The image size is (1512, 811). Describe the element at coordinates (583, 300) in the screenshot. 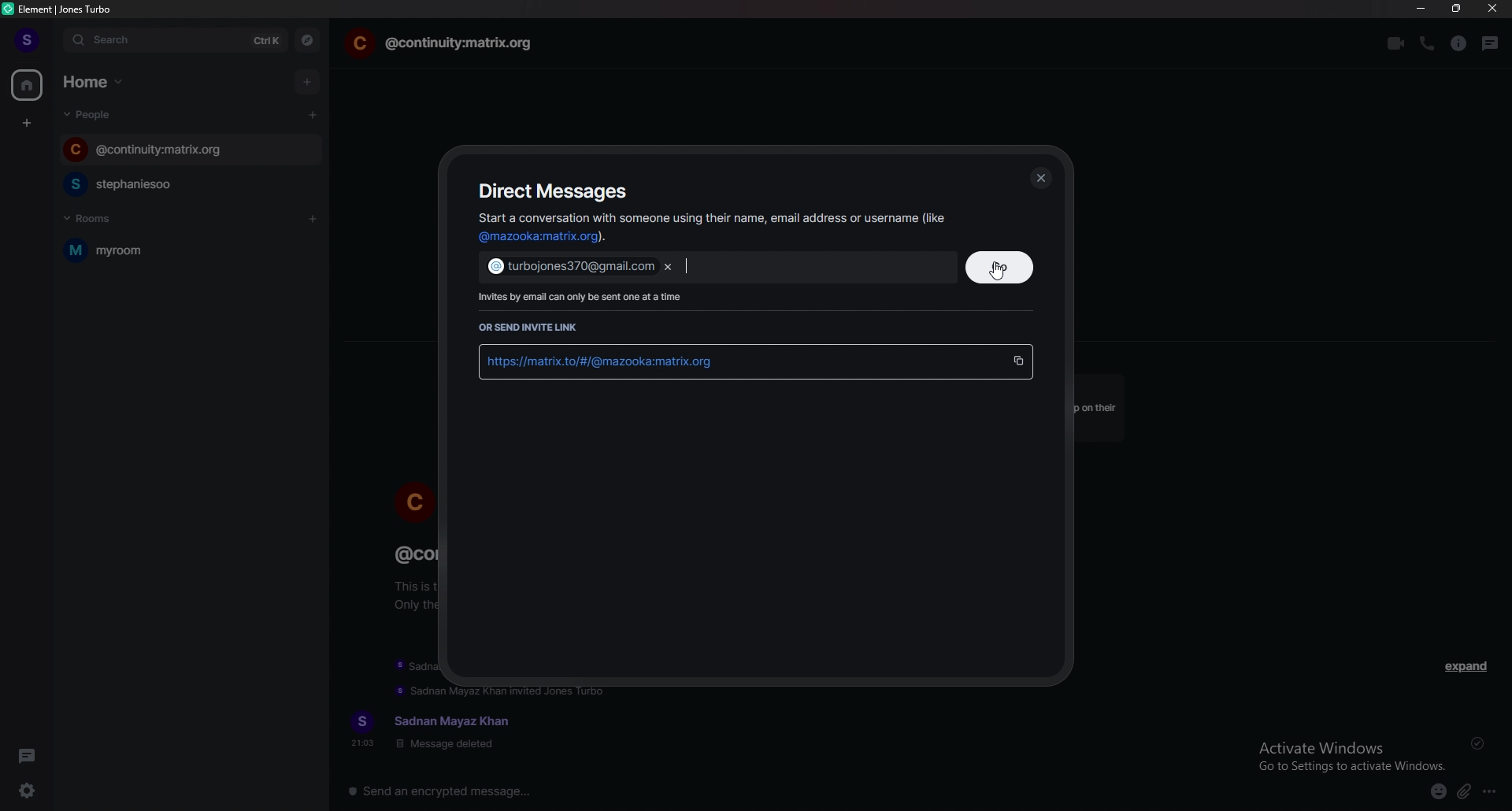

I see `info` at that location.